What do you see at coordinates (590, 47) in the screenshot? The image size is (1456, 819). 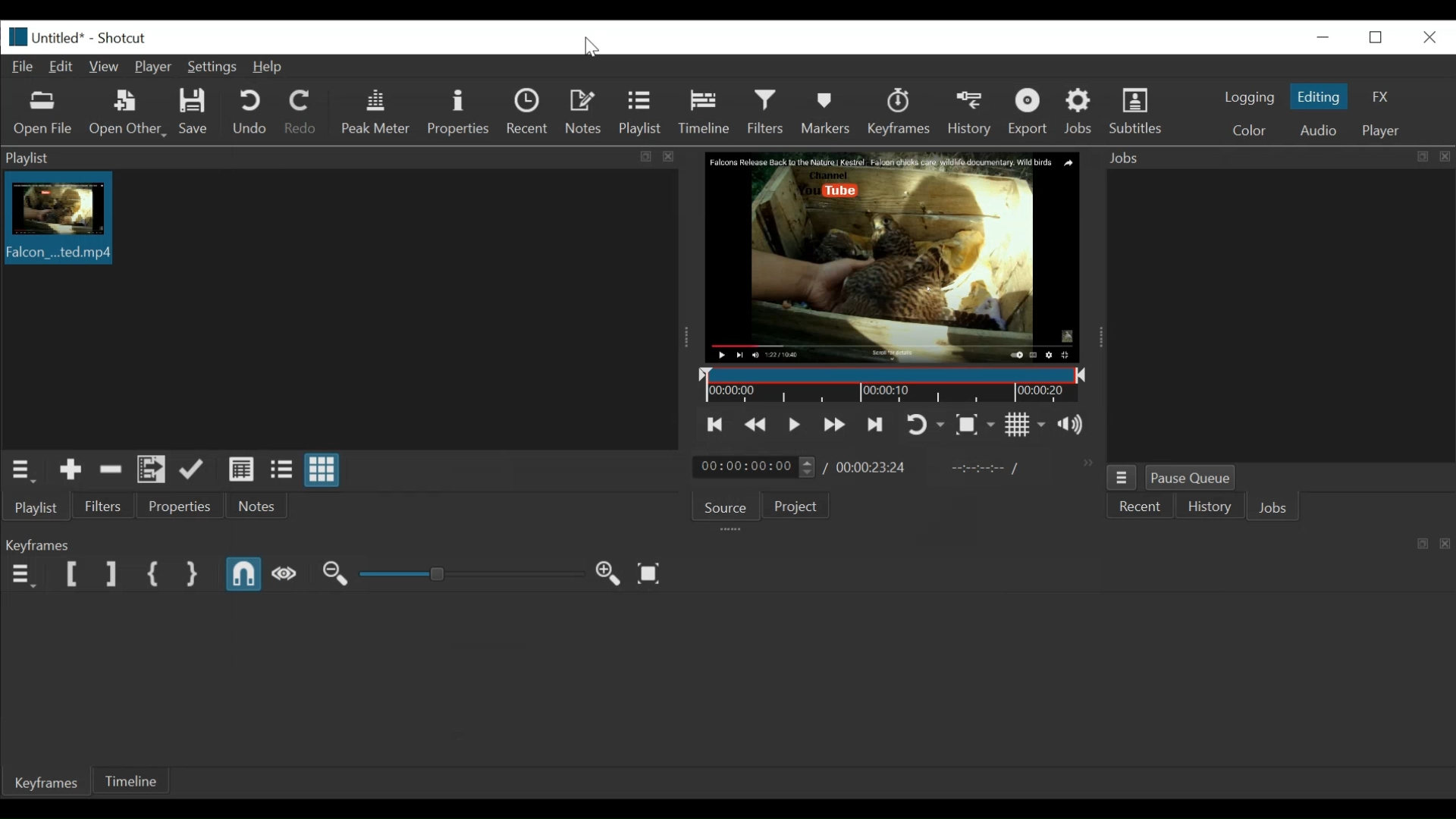 I see `Cursor` at bounding box center [590, 47].